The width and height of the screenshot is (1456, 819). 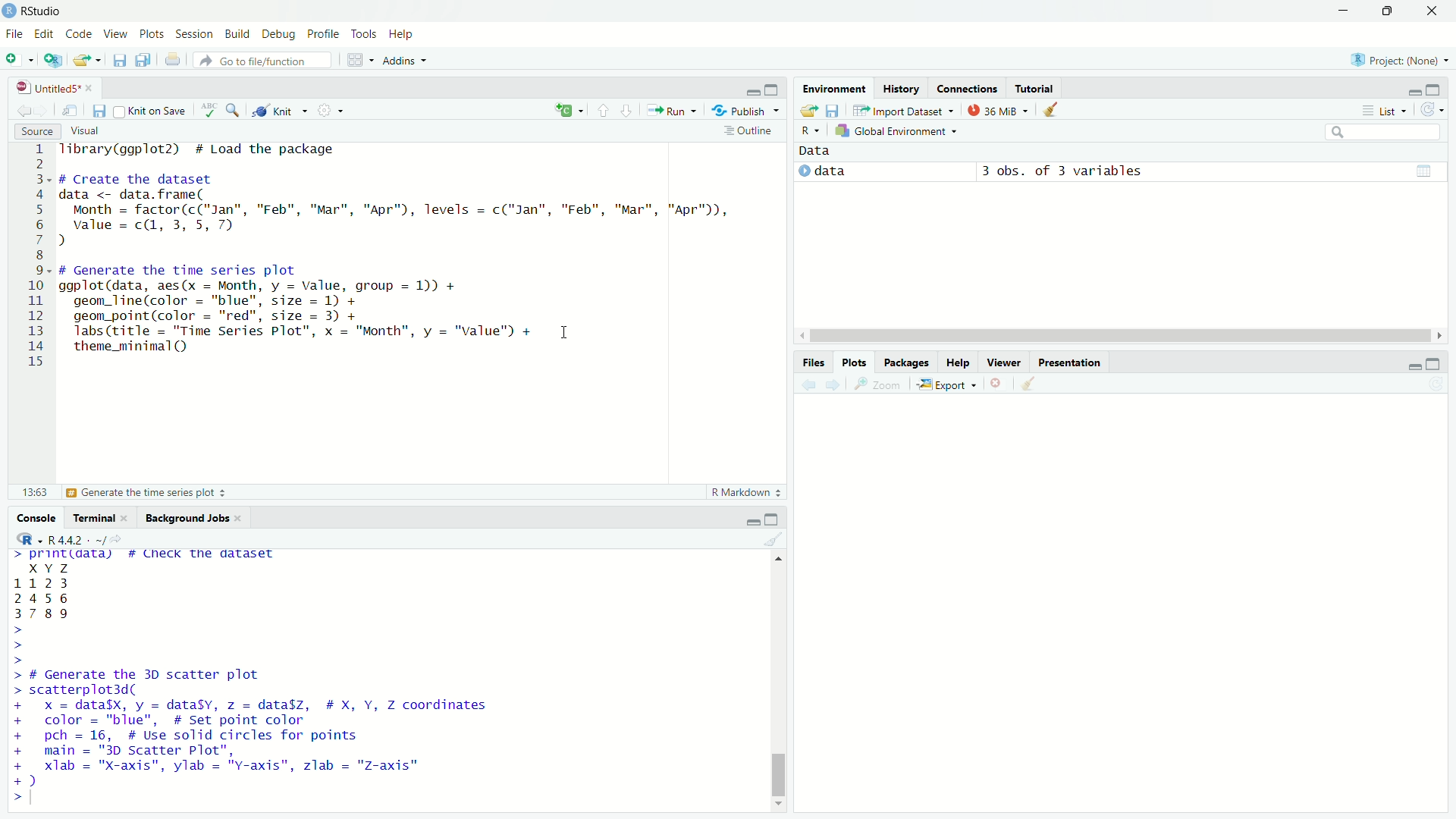 I want to click on show in new window, so click(x=71, y=110).